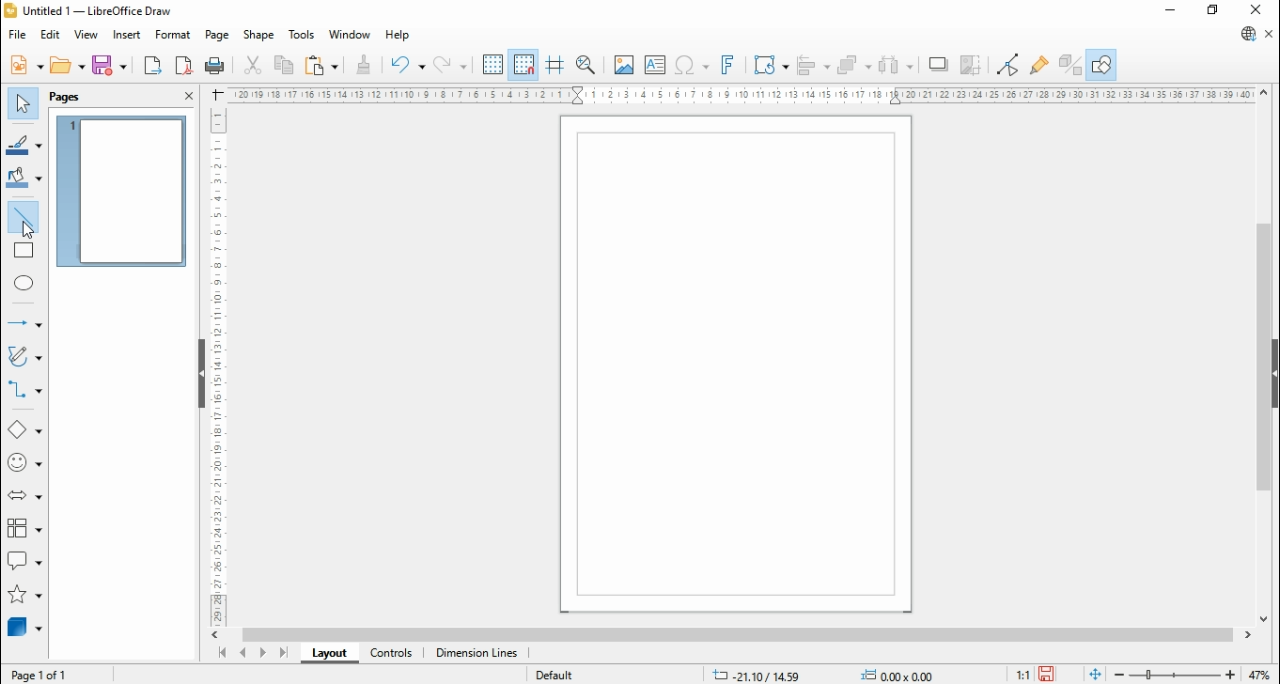 The width and height of the screenshot is (1280, 684). Describe the element at coordinates (188, 96) in the screenshot. I see `close pane` at that location.